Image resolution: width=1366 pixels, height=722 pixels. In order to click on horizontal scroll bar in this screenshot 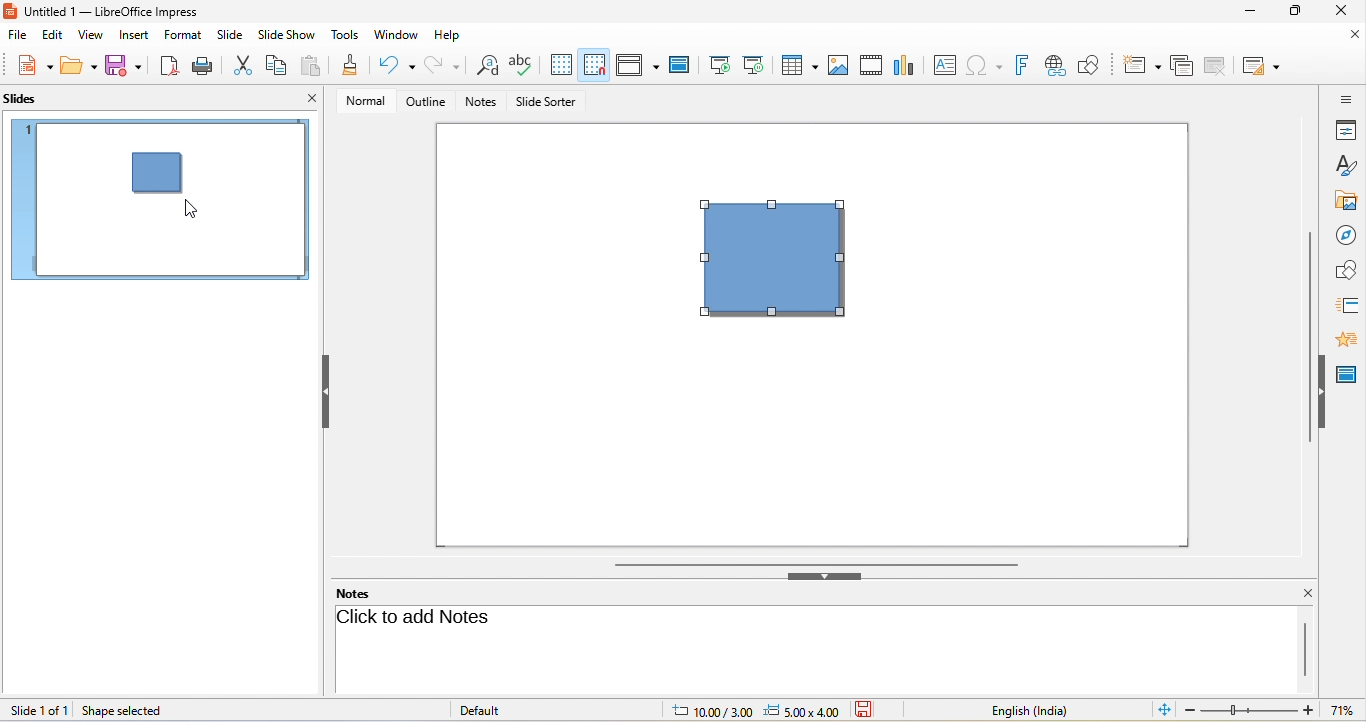, I will do `click(817, 564)`.